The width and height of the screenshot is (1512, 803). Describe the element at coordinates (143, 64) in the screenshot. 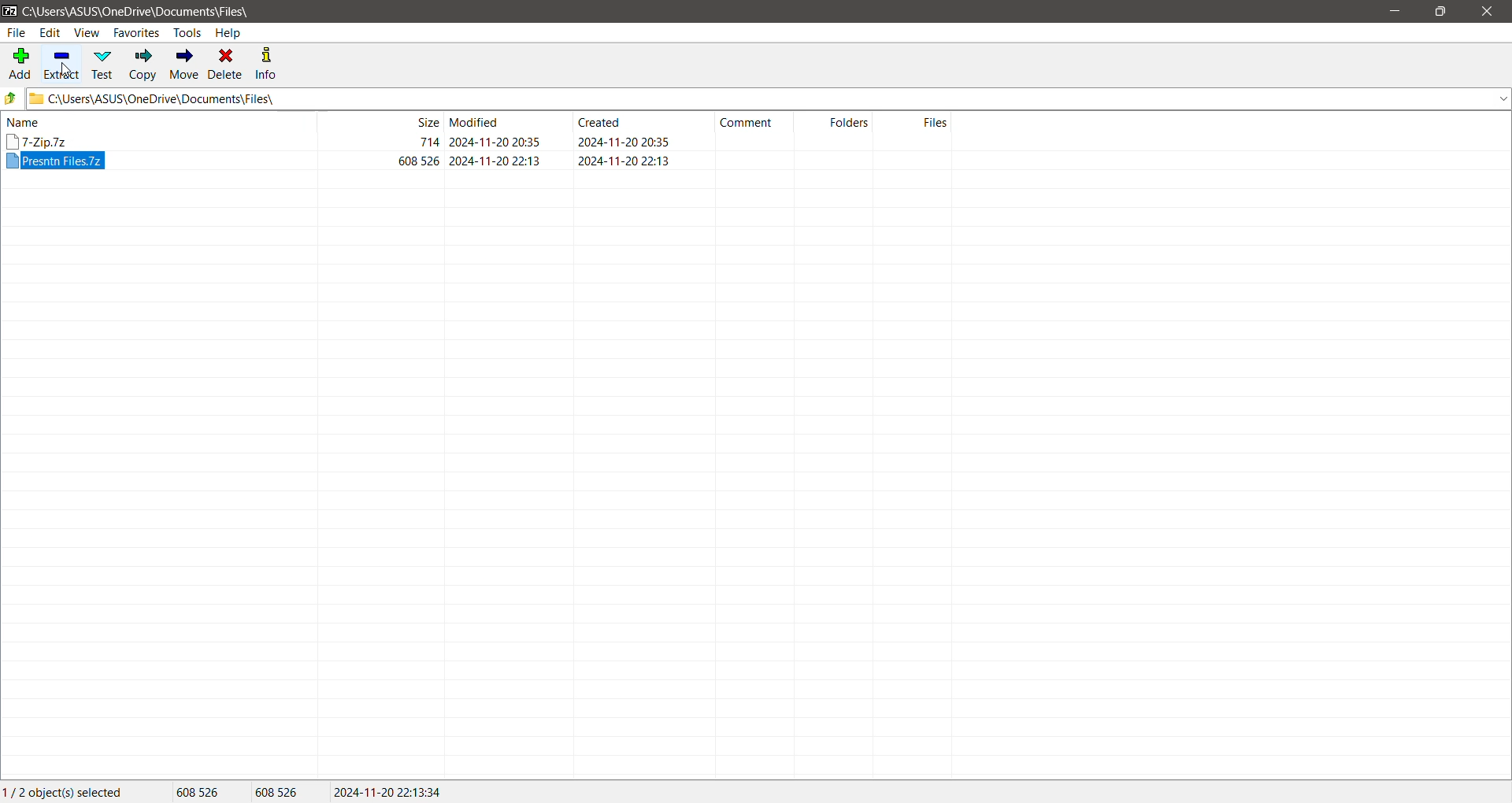

I see `Copy` at that location.